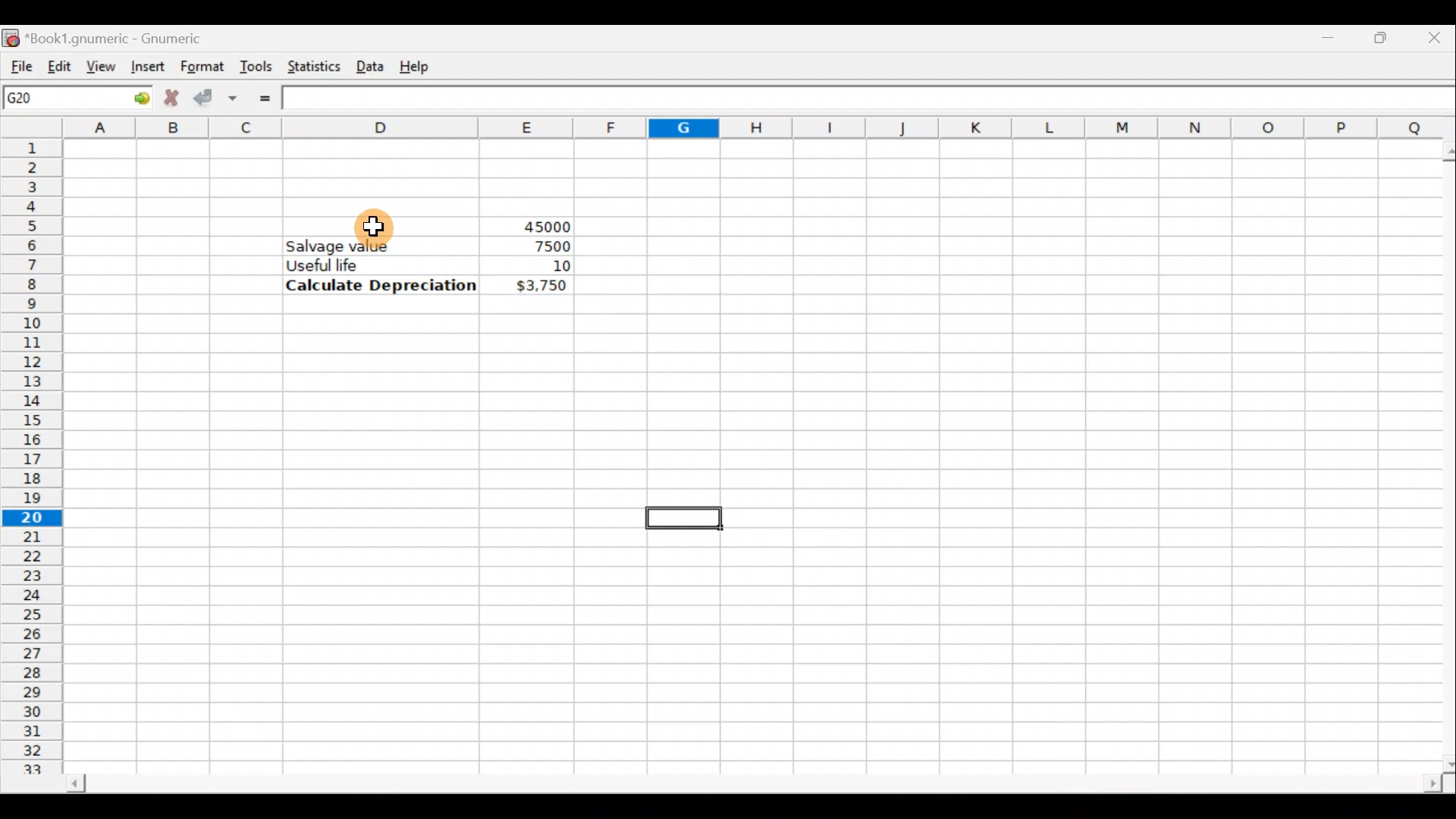  What do you see at coordinates (369, 66) in the screenshot?
I see `Data` at bounding box center [369, 66].